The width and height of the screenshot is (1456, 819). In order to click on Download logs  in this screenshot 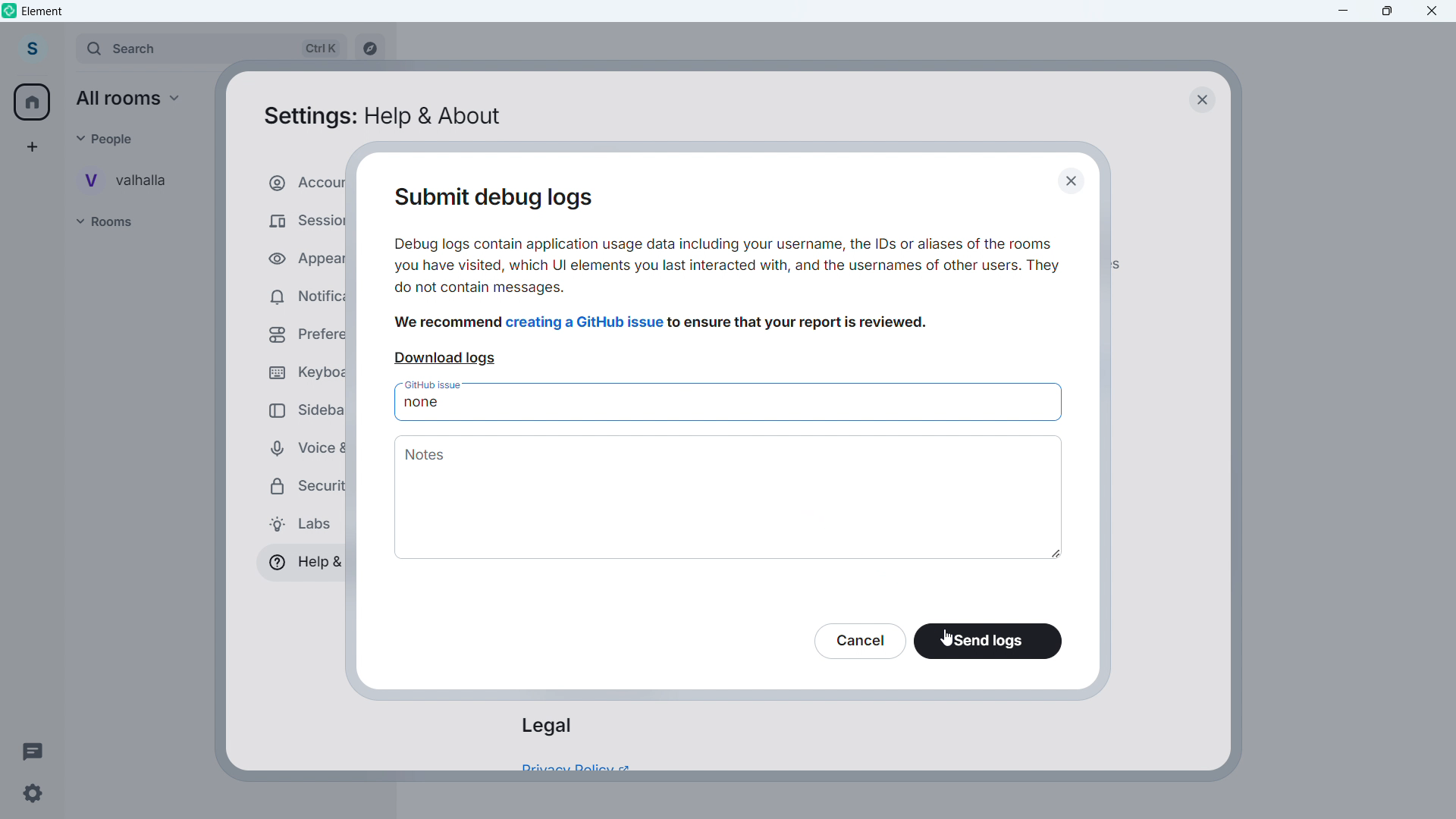, I will do `click(445, 359)`.